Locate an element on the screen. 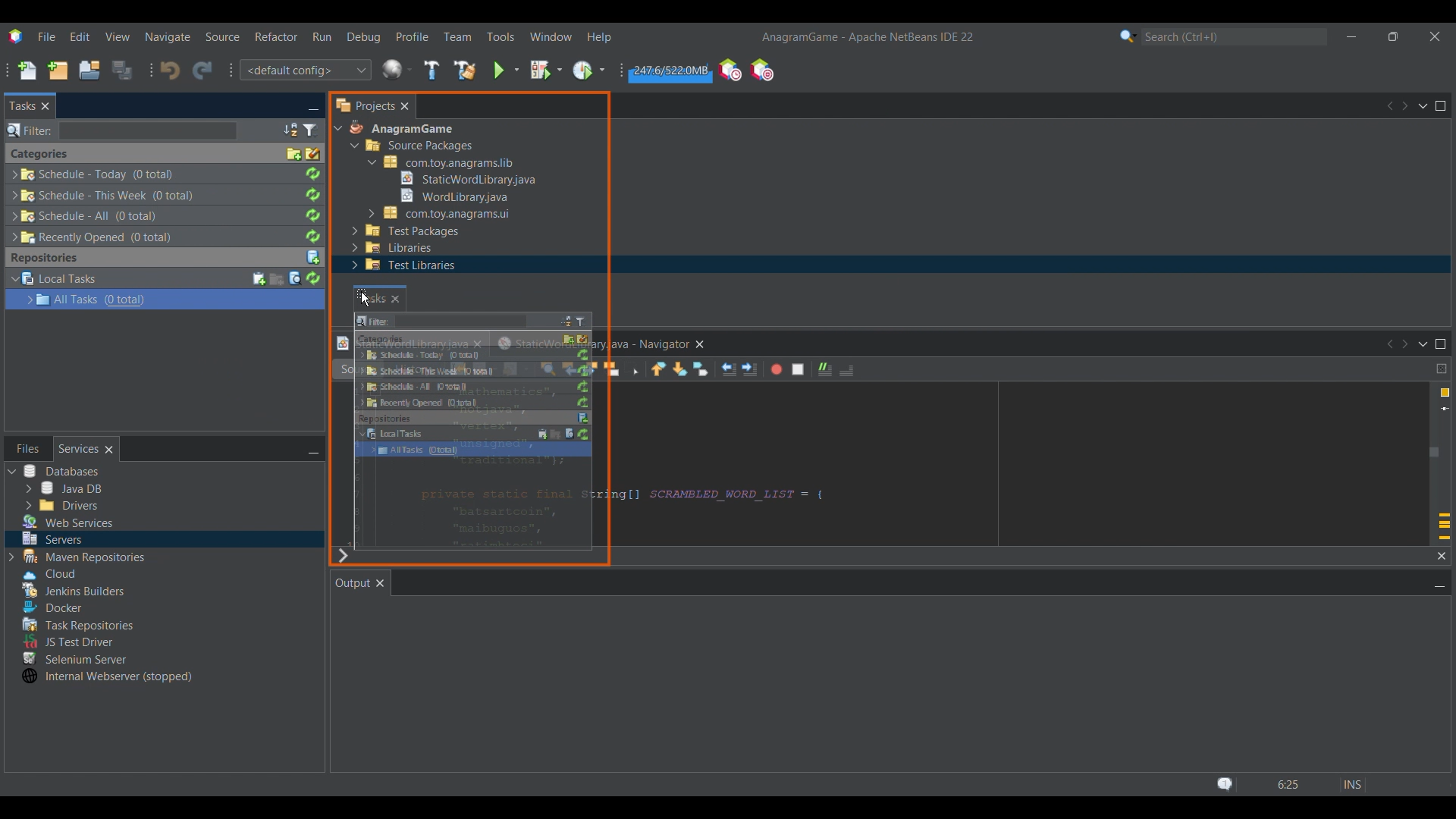 Image resolution: width=1456 pixels, height=819 pixels. Globe icon is located at coordinates (397, 69).